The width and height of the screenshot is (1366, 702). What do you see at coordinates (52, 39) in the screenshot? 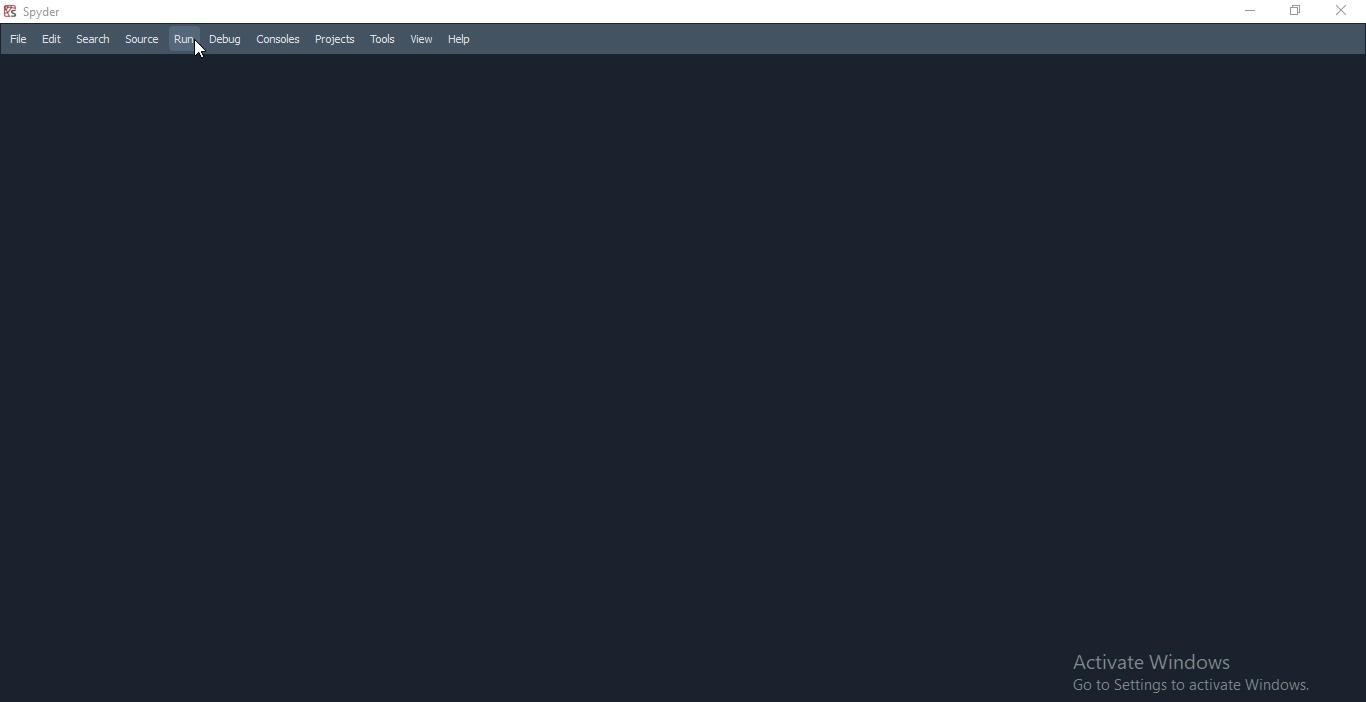
I see `Edit` at bounding box center [52, 39].